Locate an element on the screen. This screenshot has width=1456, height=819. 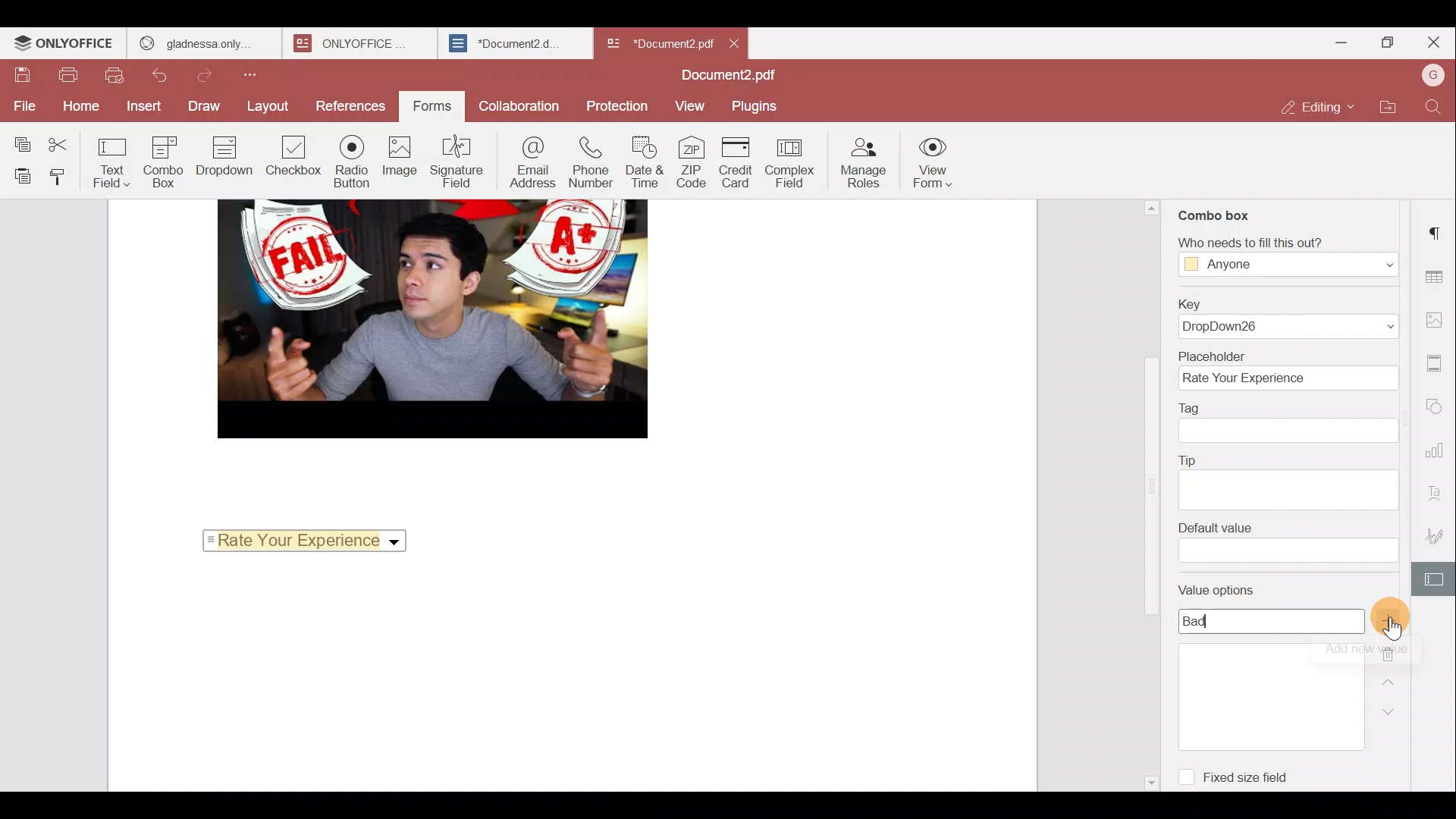
Default value is located at coordinates (1287, 542).